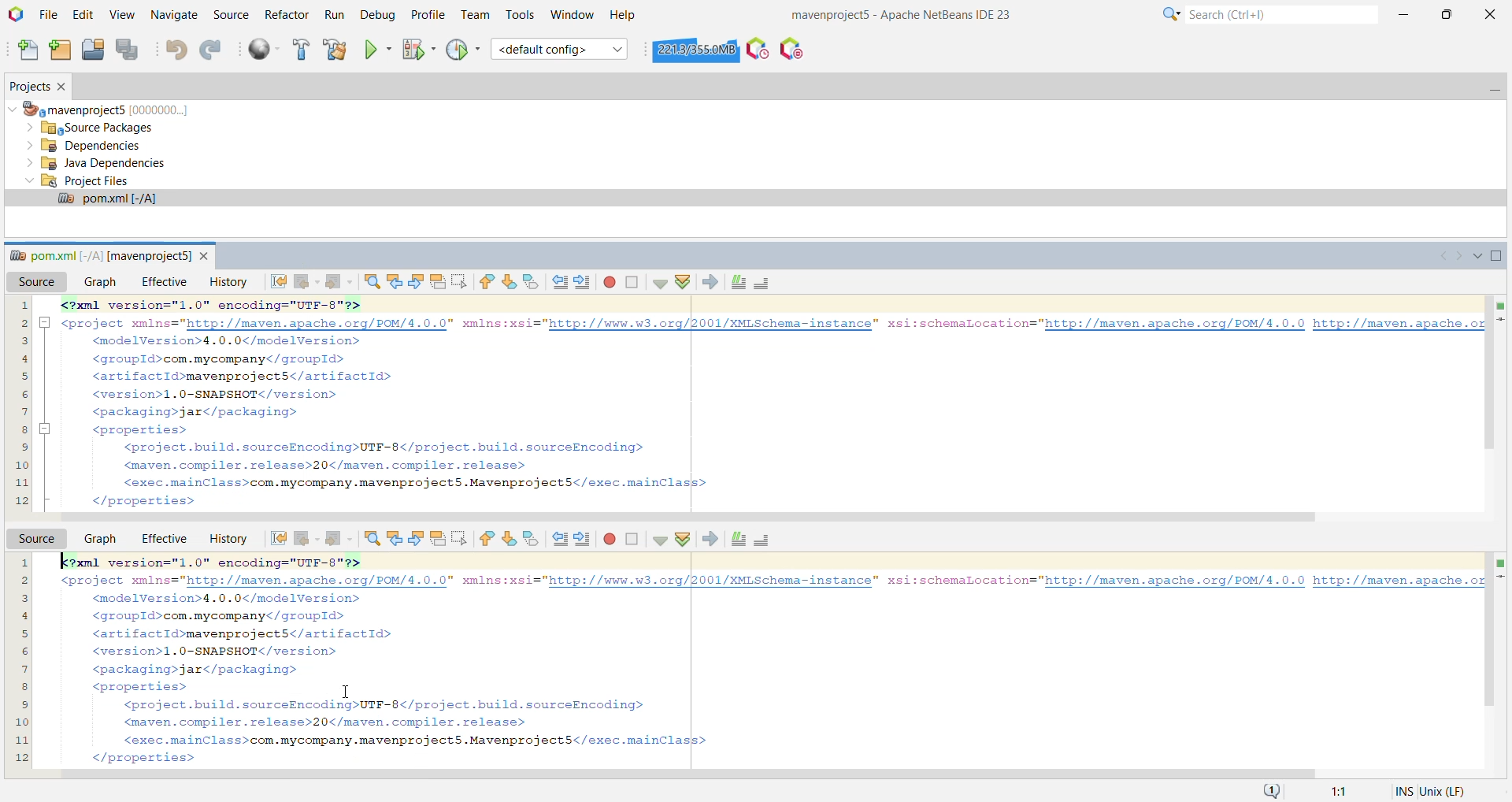 This screenshot has width=1512, height=802. I want to click on <groupld>com.mycompany</groupId>, so click(232, 616).